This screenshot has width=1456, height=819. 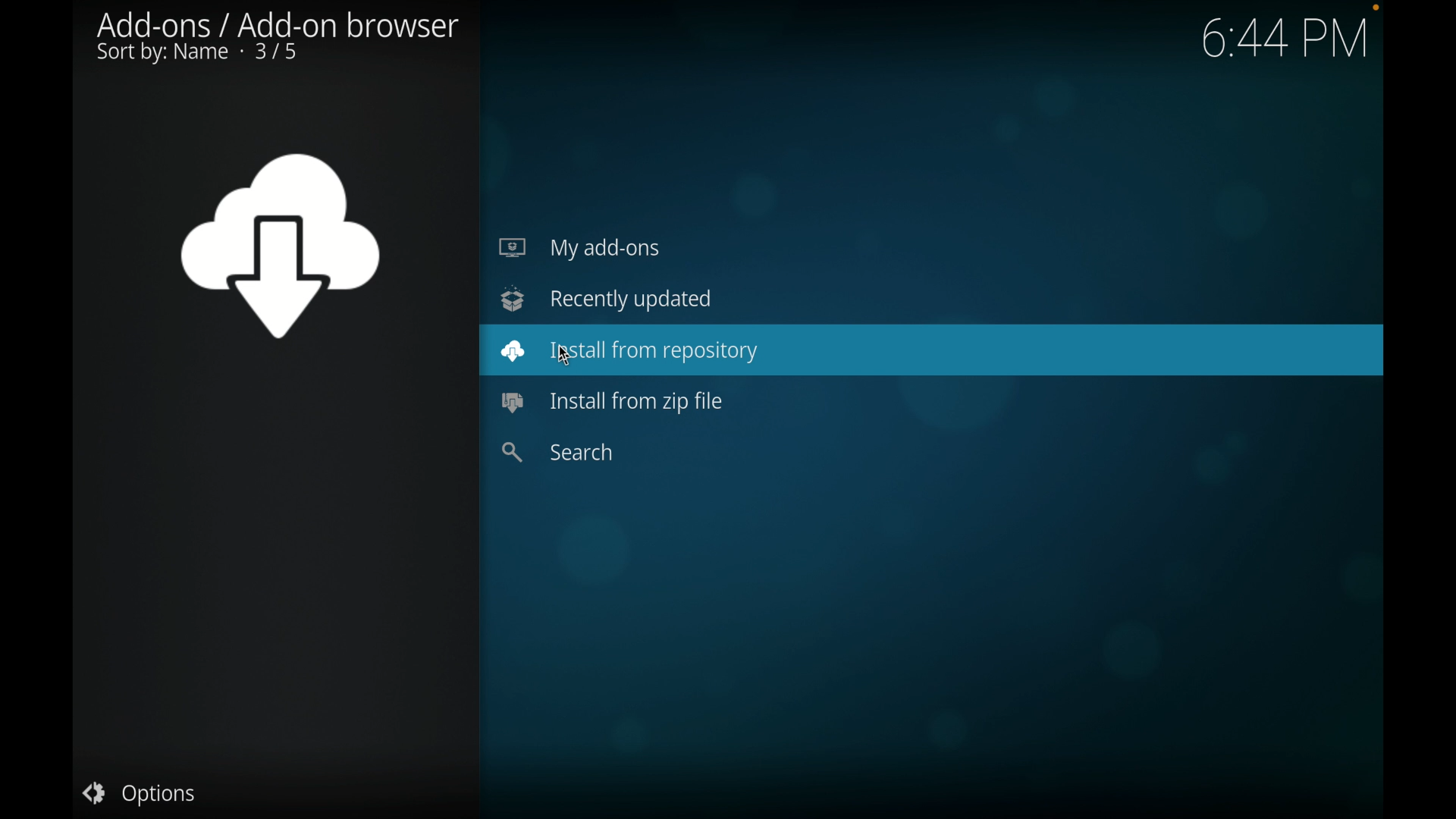 I want to click on search, so click(x=560, y=453).